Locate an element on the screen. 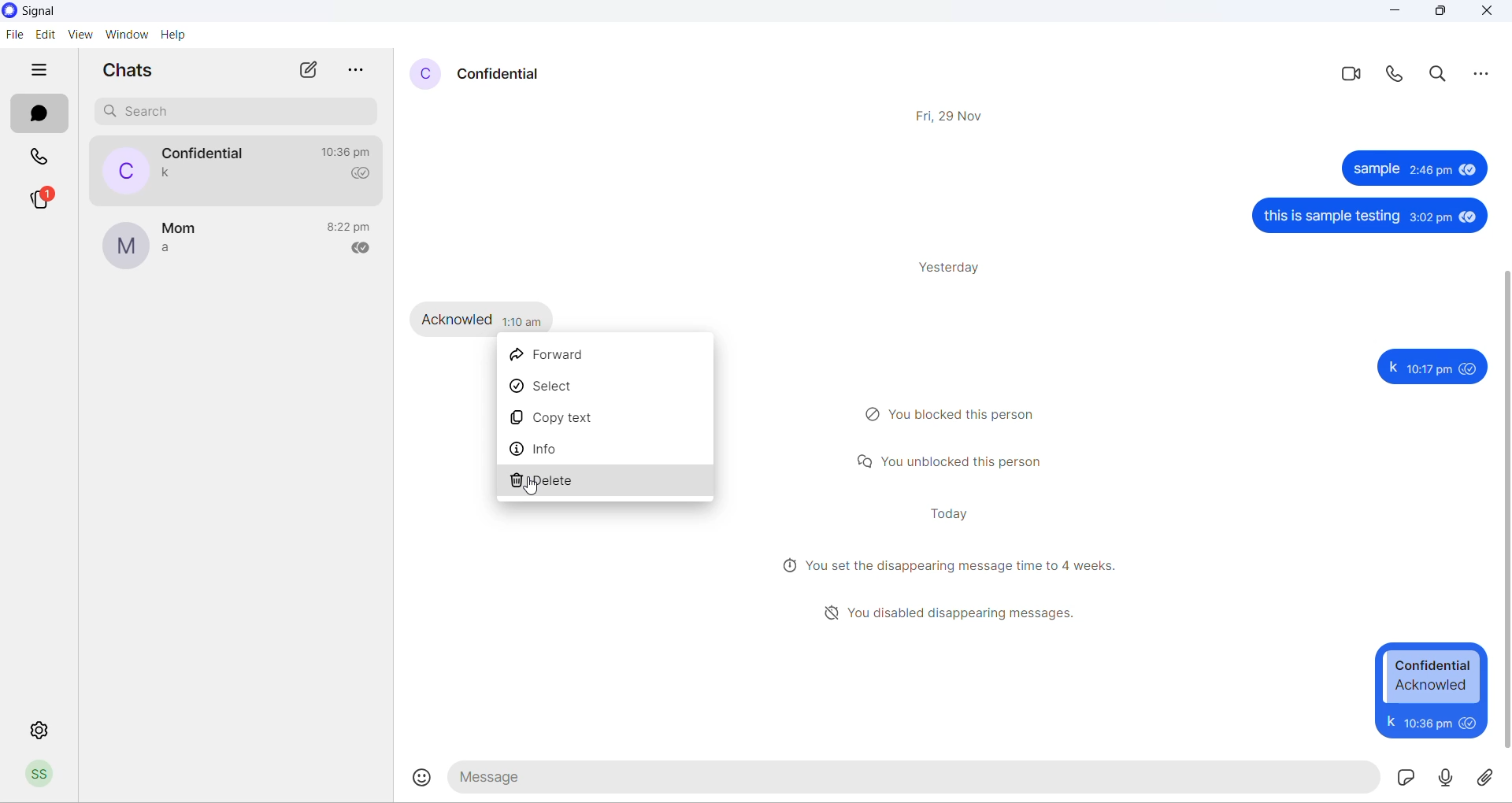 This screenshot has width=1512, height=803. Window is located at coordinates (126, 35).